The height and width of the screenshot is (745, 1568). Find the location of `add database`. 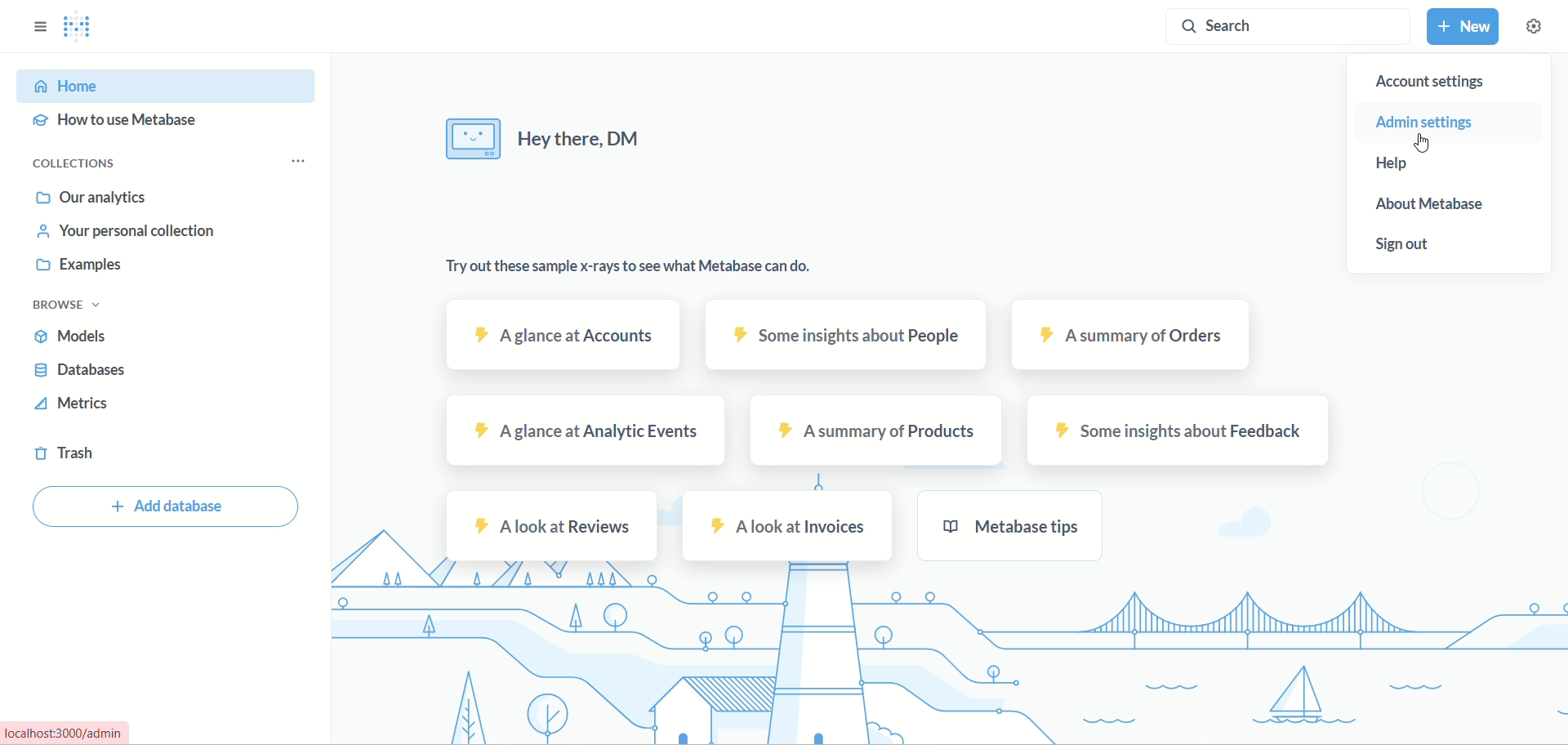

add database is located at coordinates (163, 507).